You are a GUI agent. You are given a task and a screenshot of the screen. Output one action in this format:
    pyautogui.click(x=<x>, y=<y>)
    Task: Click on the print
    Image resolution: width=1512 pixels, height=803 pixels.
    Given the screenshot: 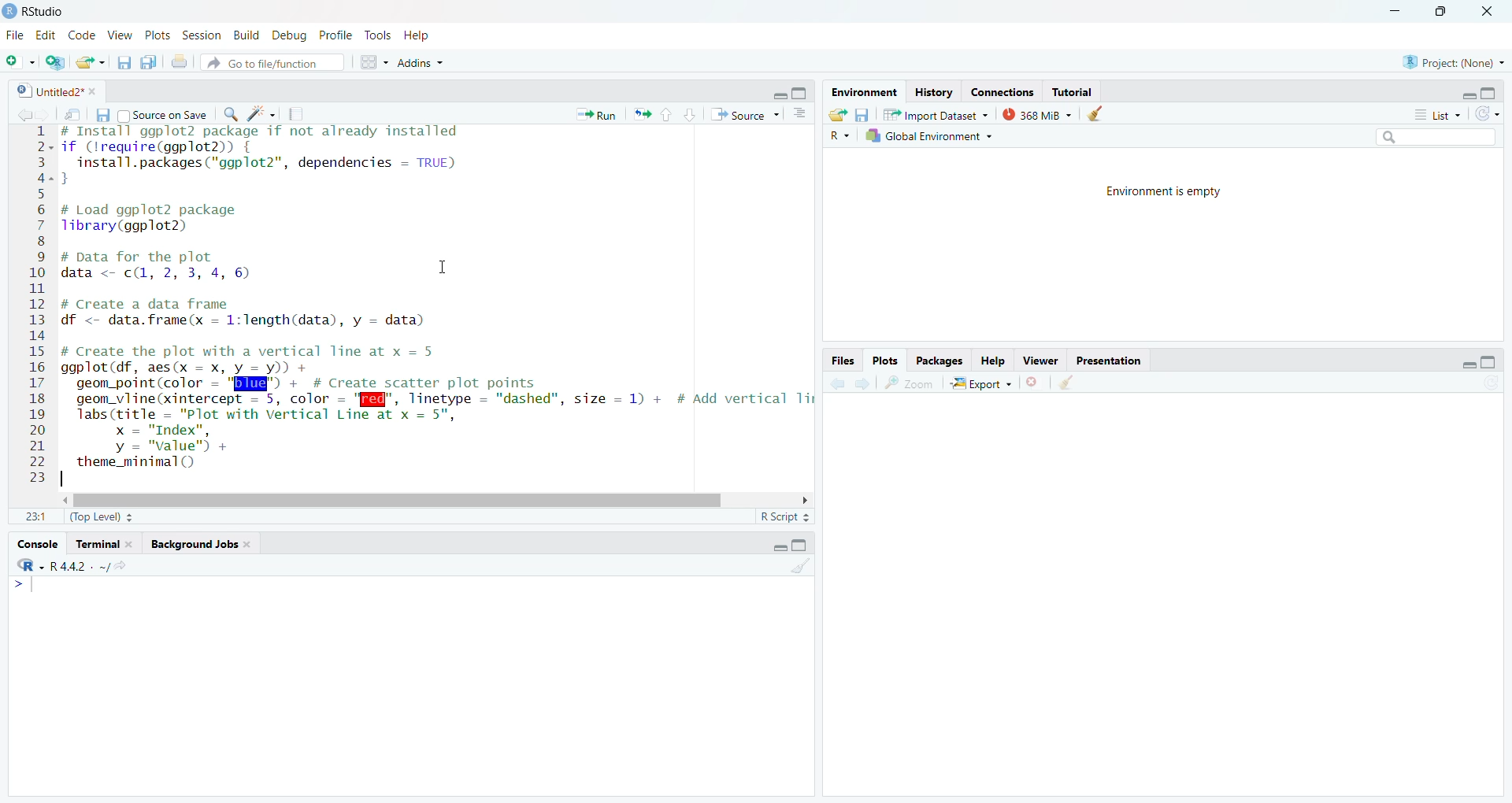 What is the action you would take?
    pyautogui.click(x=181, y=64)
    